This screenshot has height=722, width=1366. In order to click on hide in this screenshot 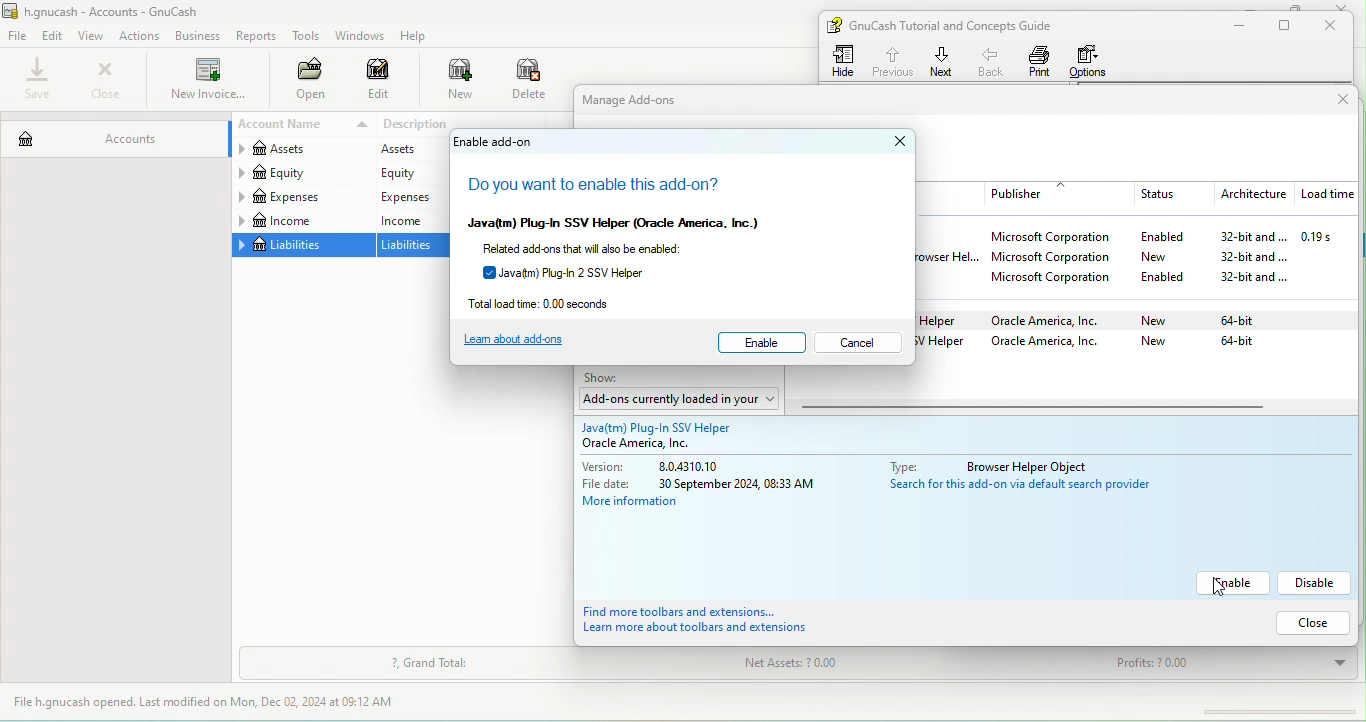, I will do `click(846, 61)`.